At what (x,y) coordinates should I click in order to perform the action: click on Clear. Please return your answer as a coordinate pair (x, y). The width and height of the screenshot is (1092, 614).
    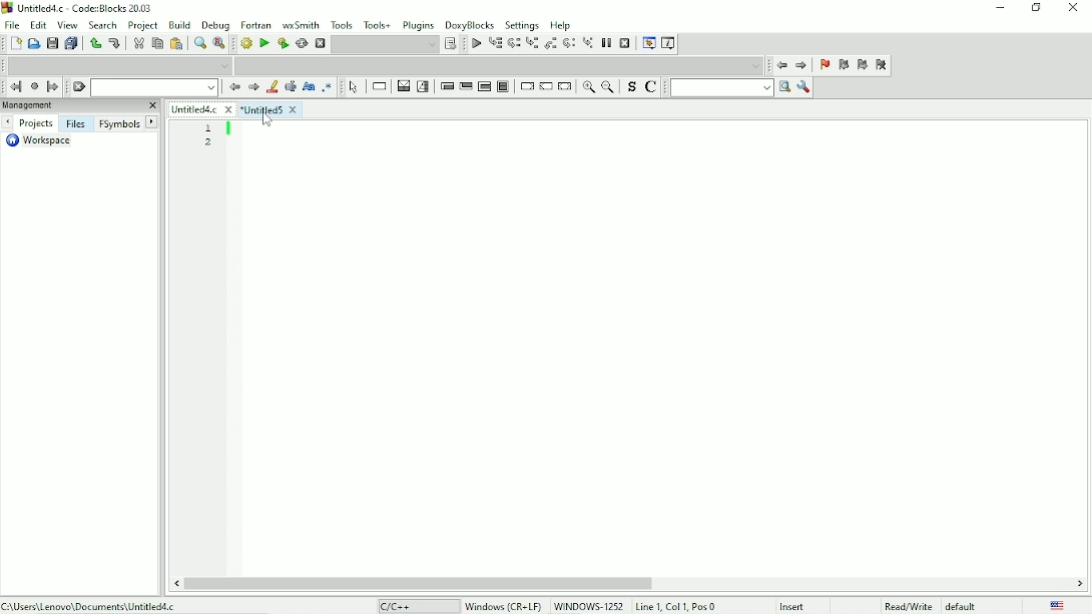
    Looking at the image, I should click on (79, 87).